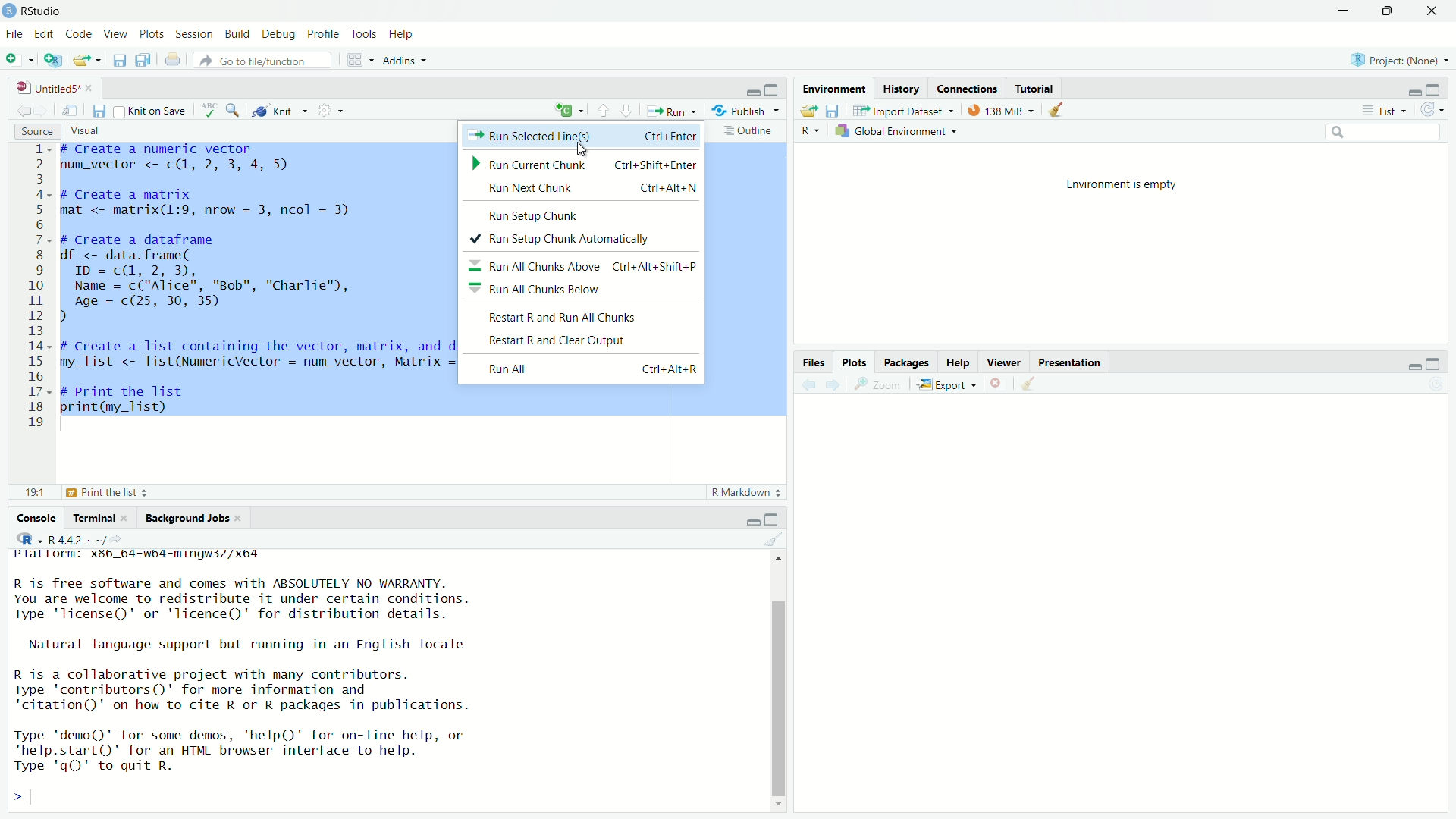 The height and width of the screenshot is (819, 1456). What do you see at coordinates (632, 110) in the screenshot?
I see `downward` at bounding box center [632, 110].